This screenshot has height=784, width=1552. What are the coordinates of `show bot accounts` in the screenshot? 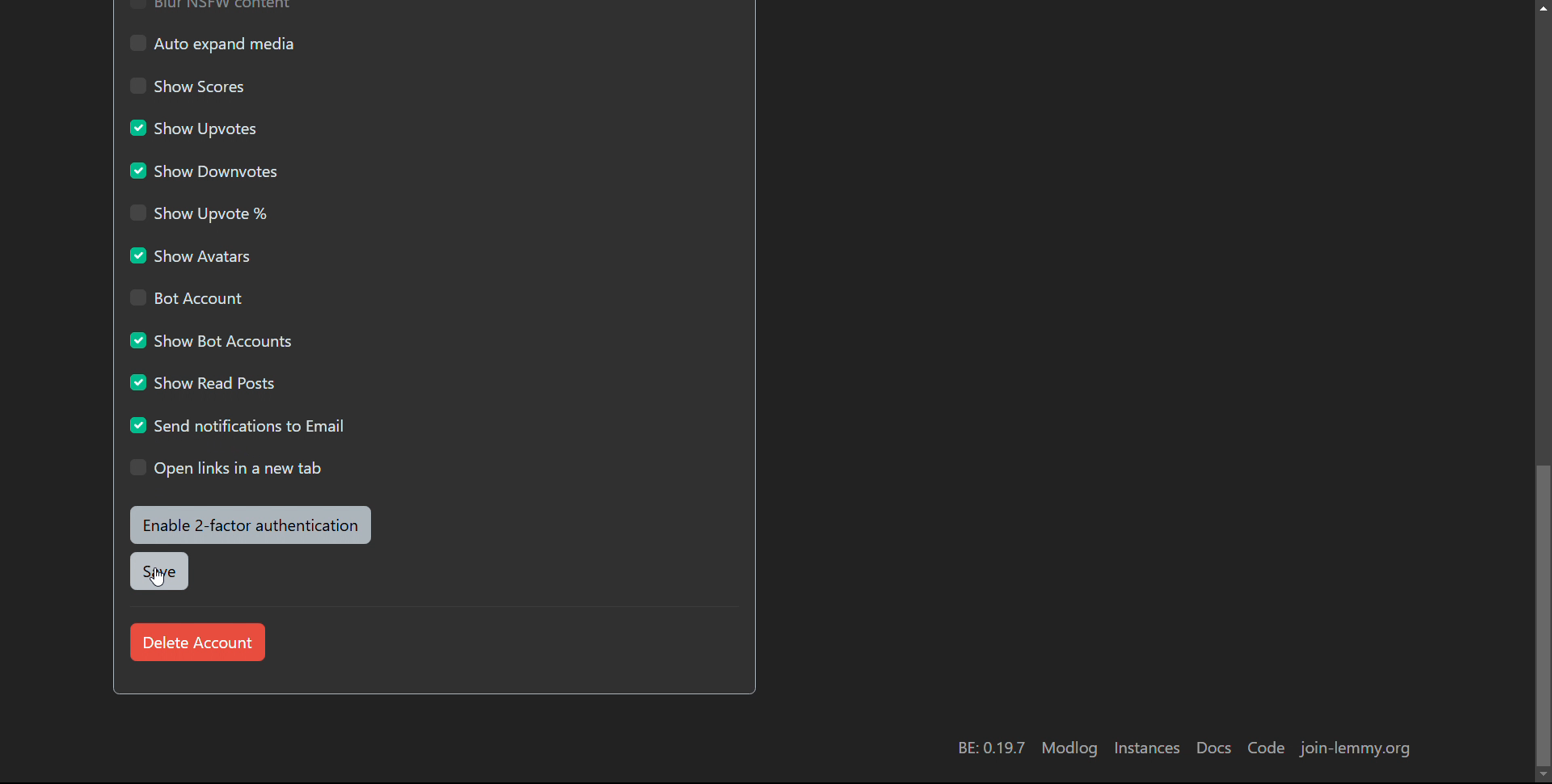 It's located at (209, 339).